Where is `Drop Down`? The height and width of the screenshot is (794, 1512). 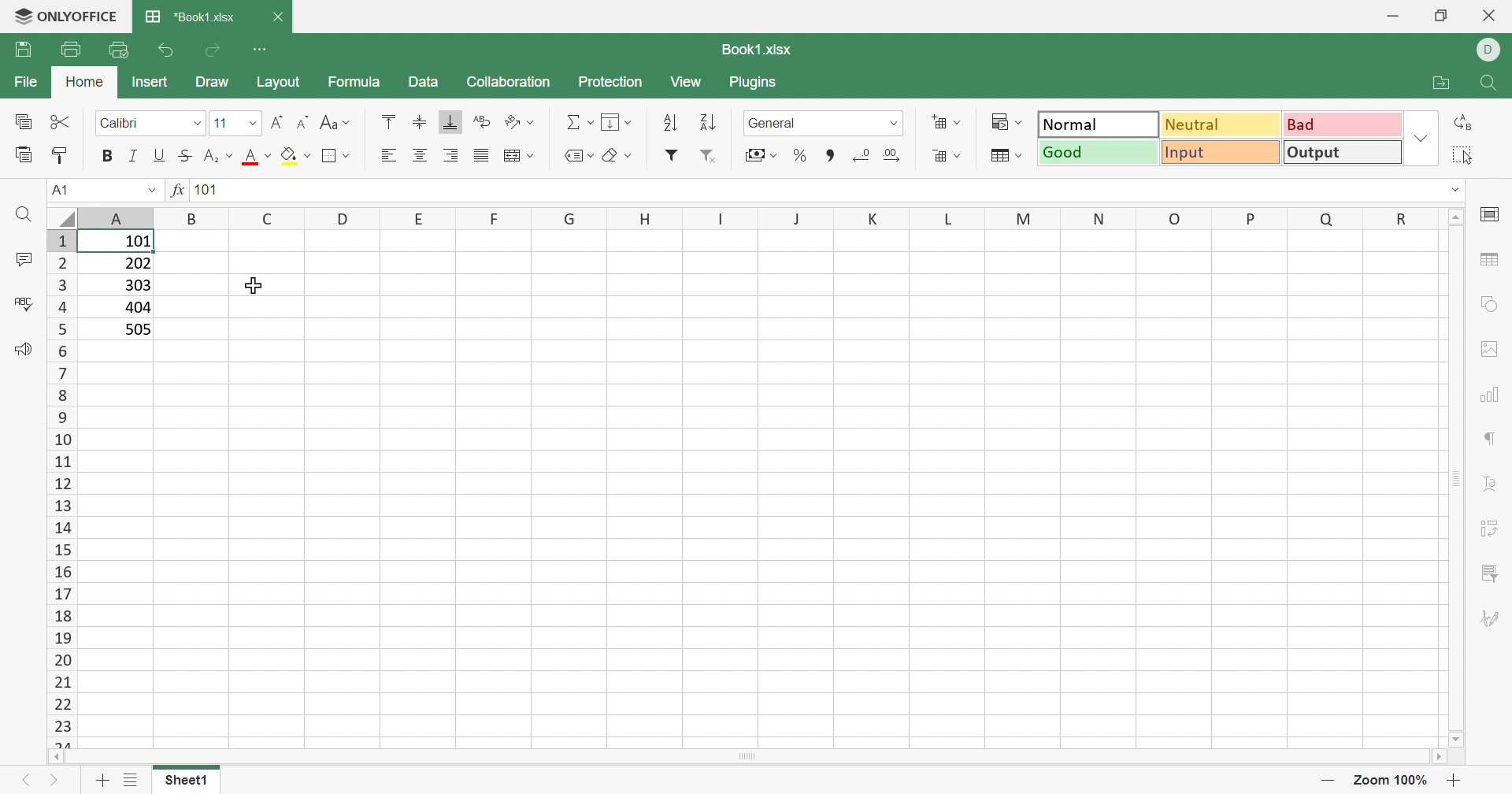 Drop Down is located at coordinates (894, 123).